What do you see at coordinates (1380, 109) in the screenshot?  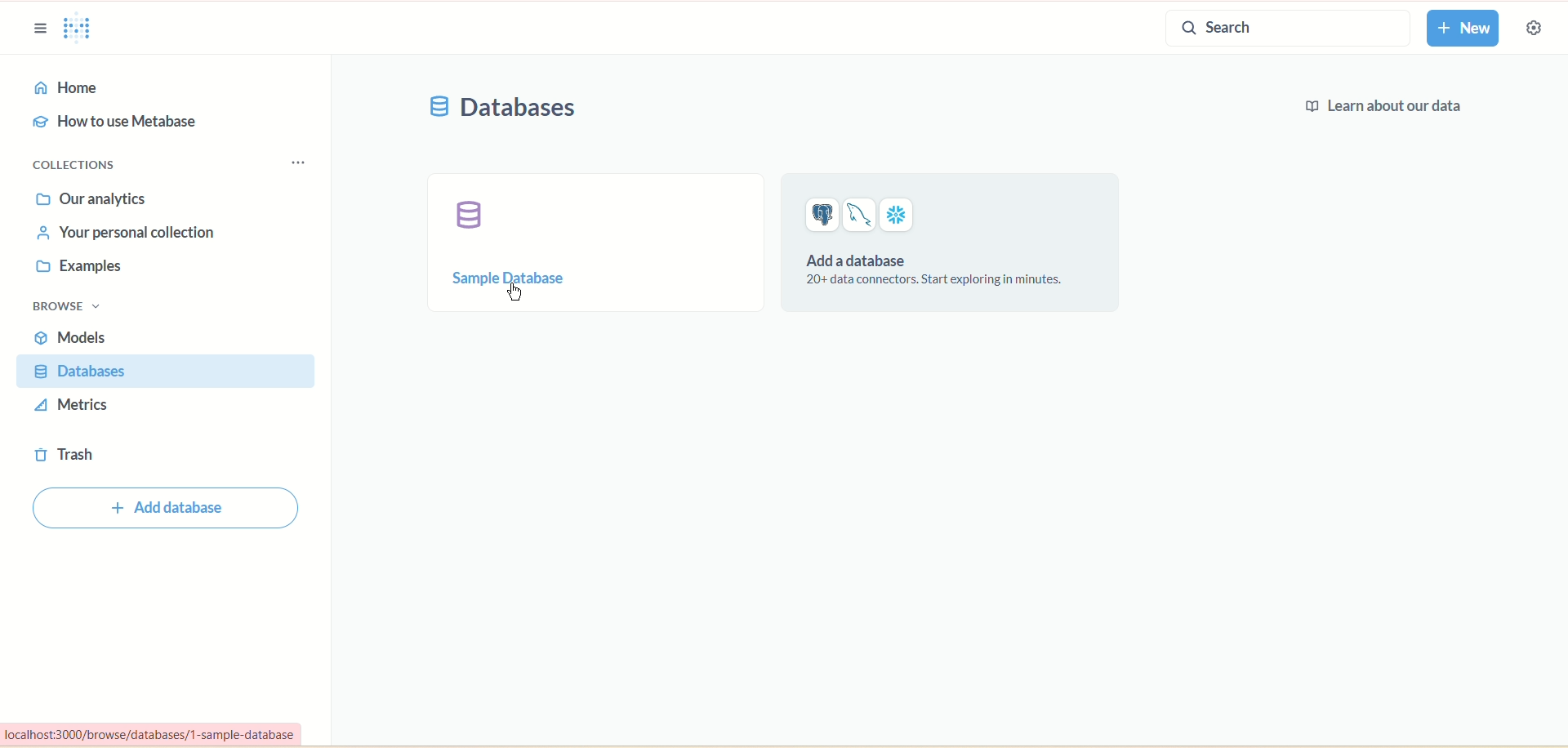 I see `learn about our data` at bounding box center [1380, 109].